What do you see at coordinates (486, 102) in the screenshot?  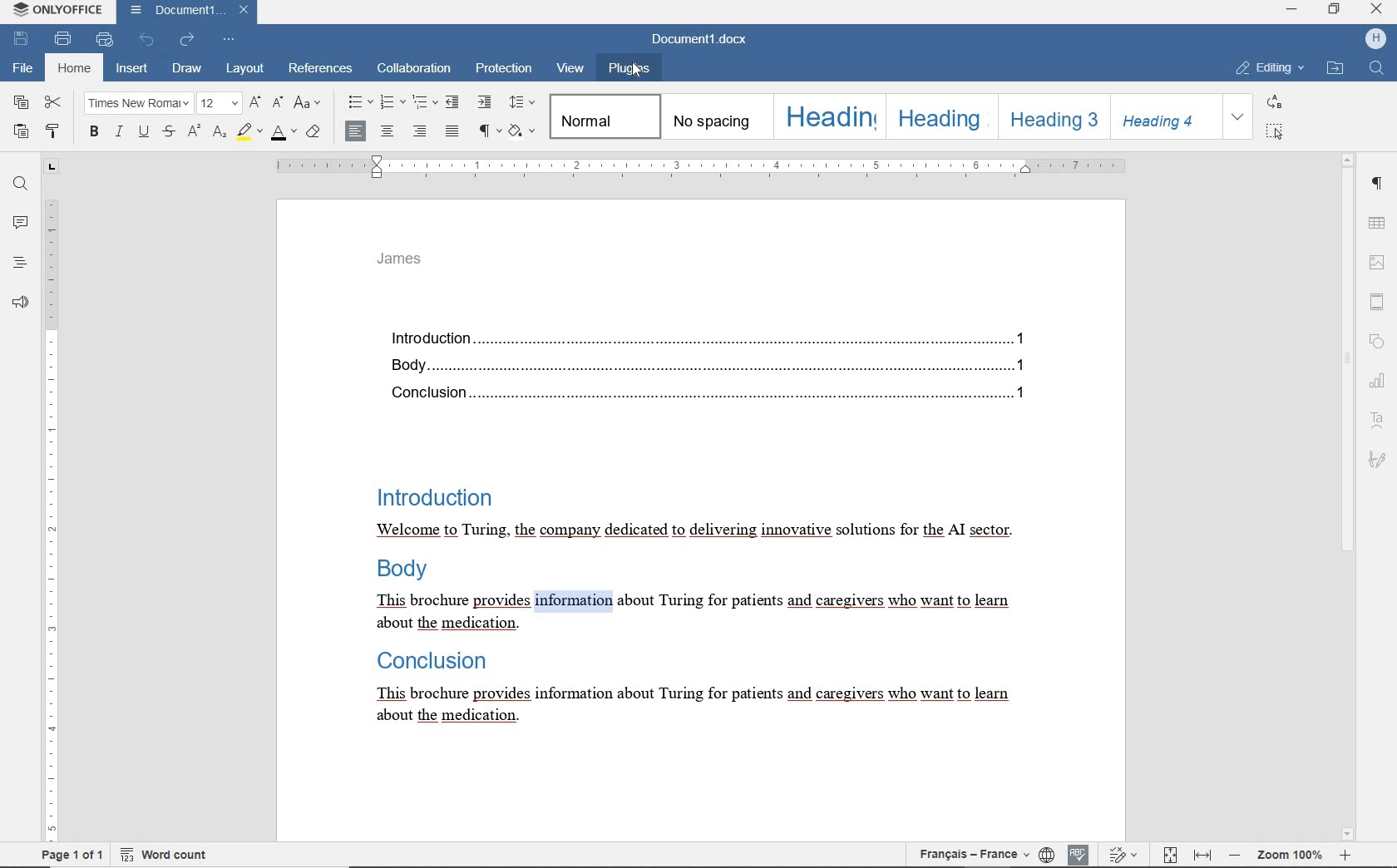 I see `INCREASE INDENT` at bounding box center [486, 102].